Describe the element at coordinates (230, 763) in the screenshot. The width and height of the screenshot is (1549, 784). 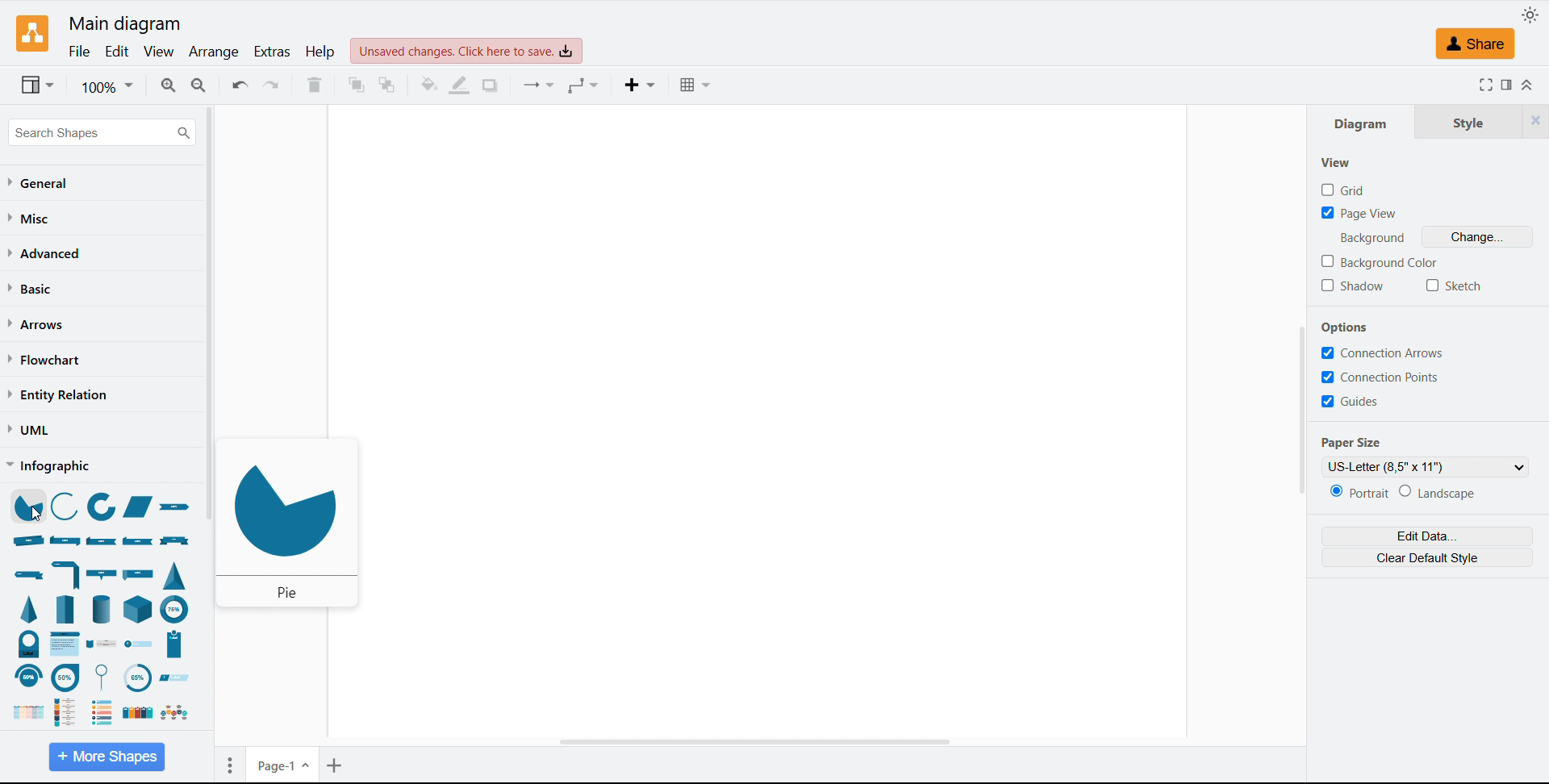
I see `Page options ` at that location.